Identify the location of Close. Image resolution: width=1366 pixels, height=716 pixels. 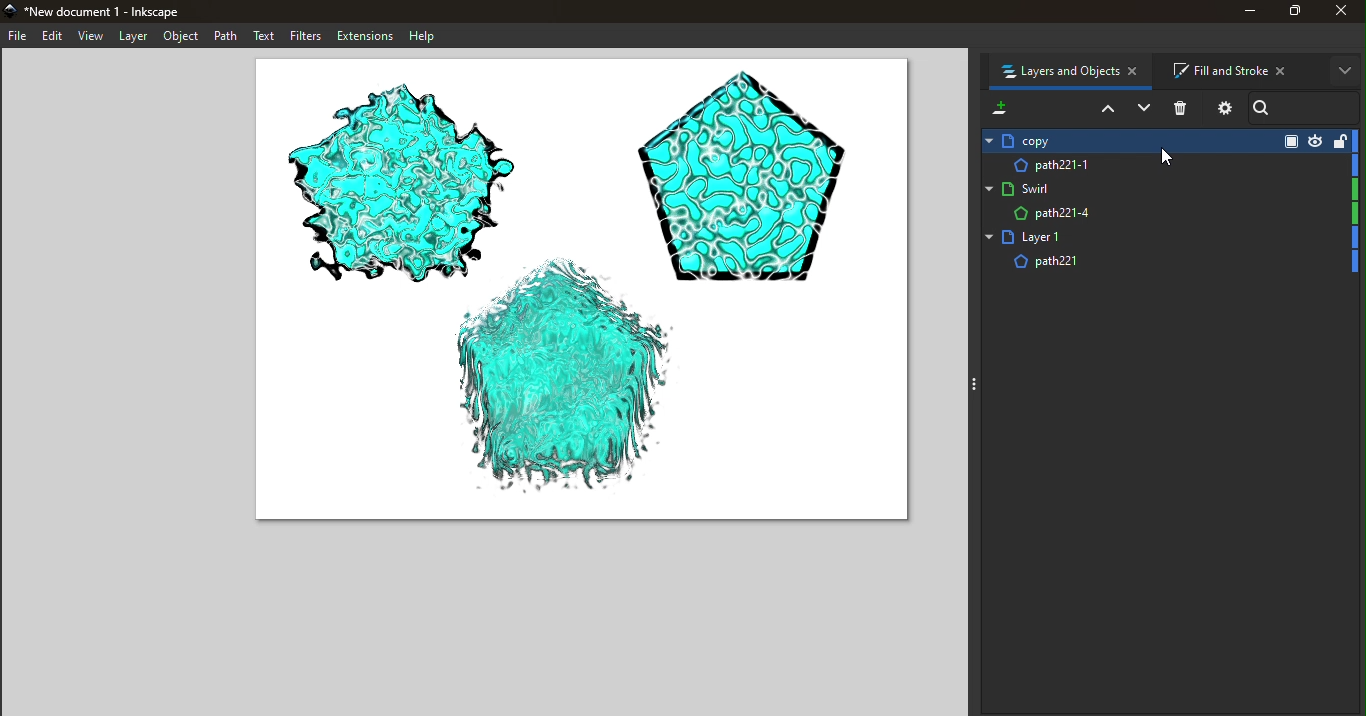
(1344, 14).